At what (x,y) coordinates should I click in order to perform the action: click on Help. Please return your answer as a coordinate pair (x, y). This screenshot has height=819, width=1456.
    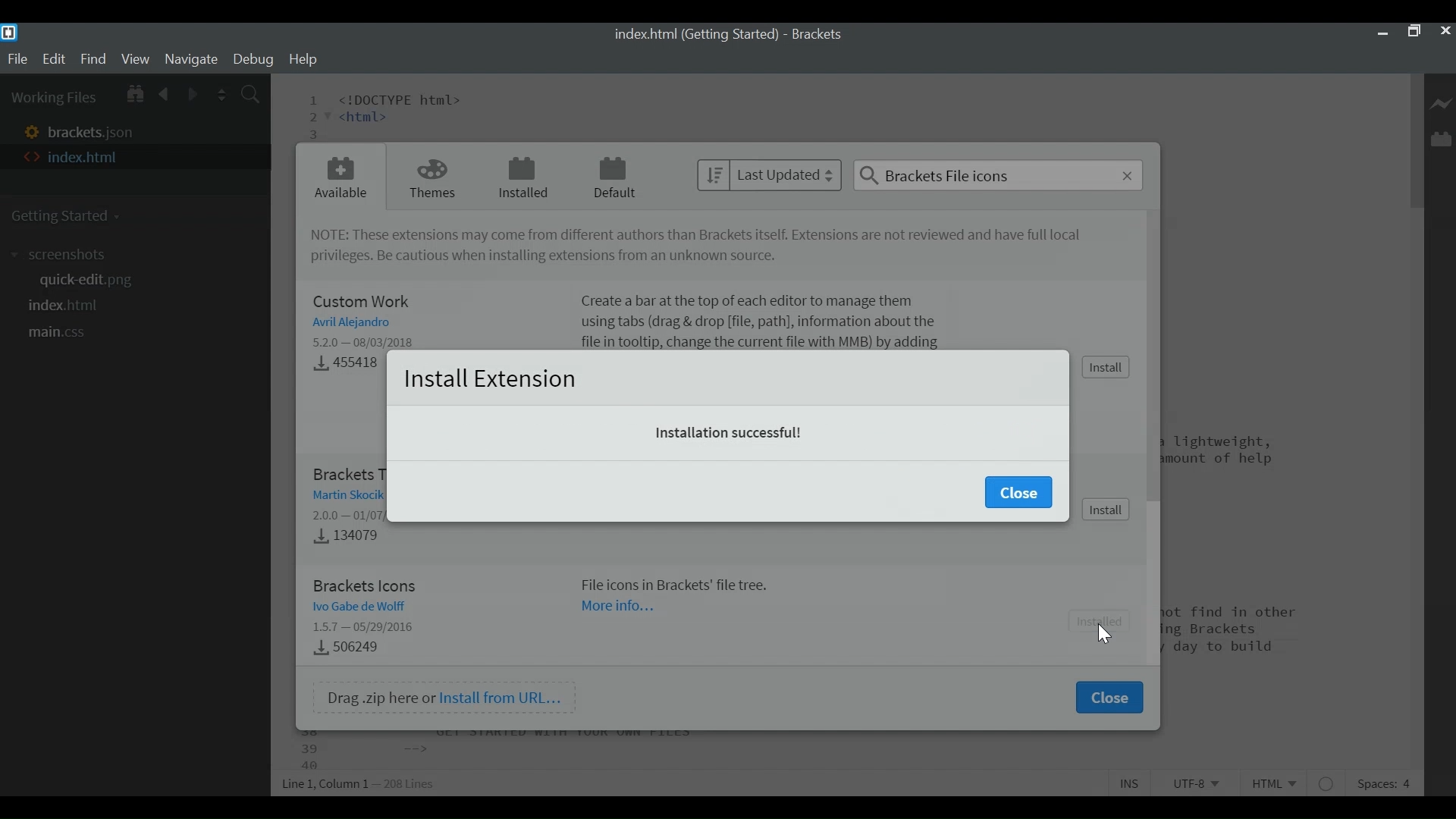
    Looking at the image, I should click on (303, 60).